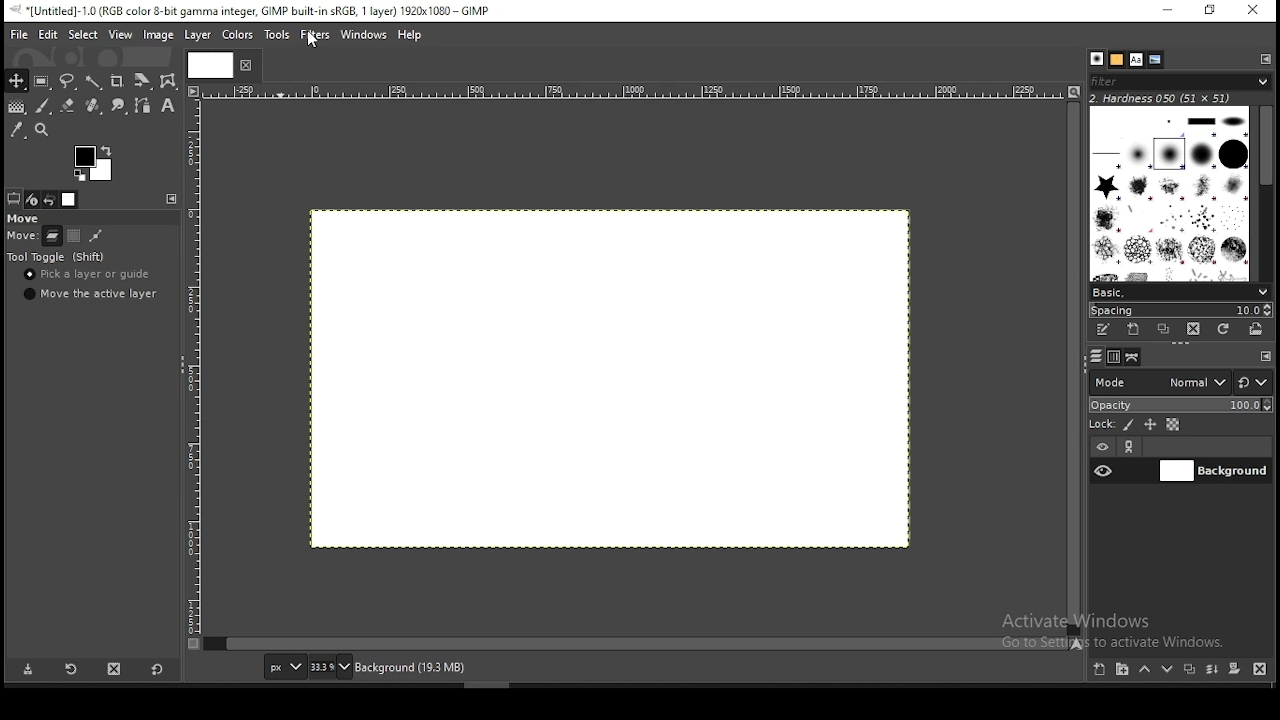 The height and width of the screenshot is (720, 1280). I want to click on move layer on step down, so click(1171, 669).